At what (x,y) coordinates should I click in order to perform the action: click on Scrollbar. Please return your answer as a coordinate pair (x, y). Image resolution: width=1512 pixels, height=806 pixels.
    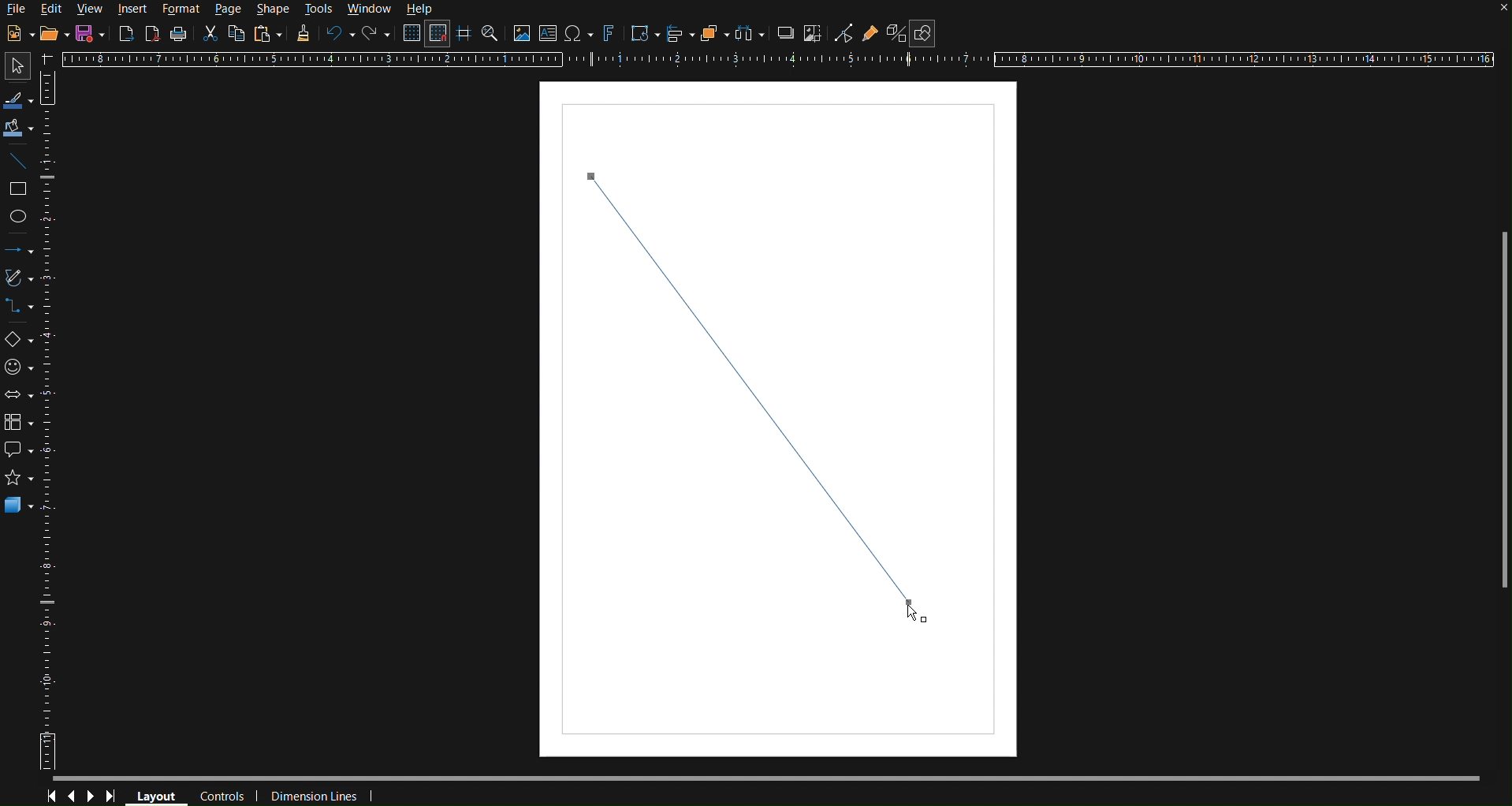
    Looking at the image, I should click on (766, 778).